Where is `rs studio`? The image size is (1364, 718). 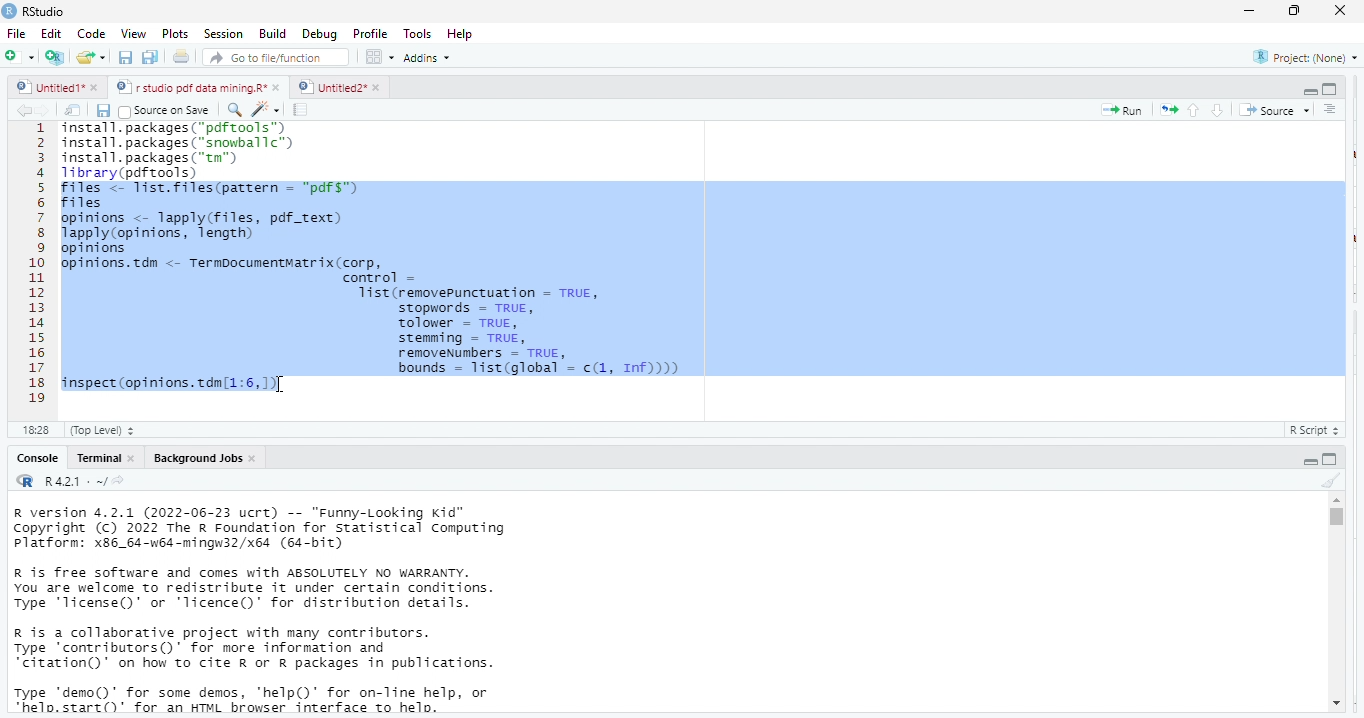 rs studio is located at coordinates (26, 482).